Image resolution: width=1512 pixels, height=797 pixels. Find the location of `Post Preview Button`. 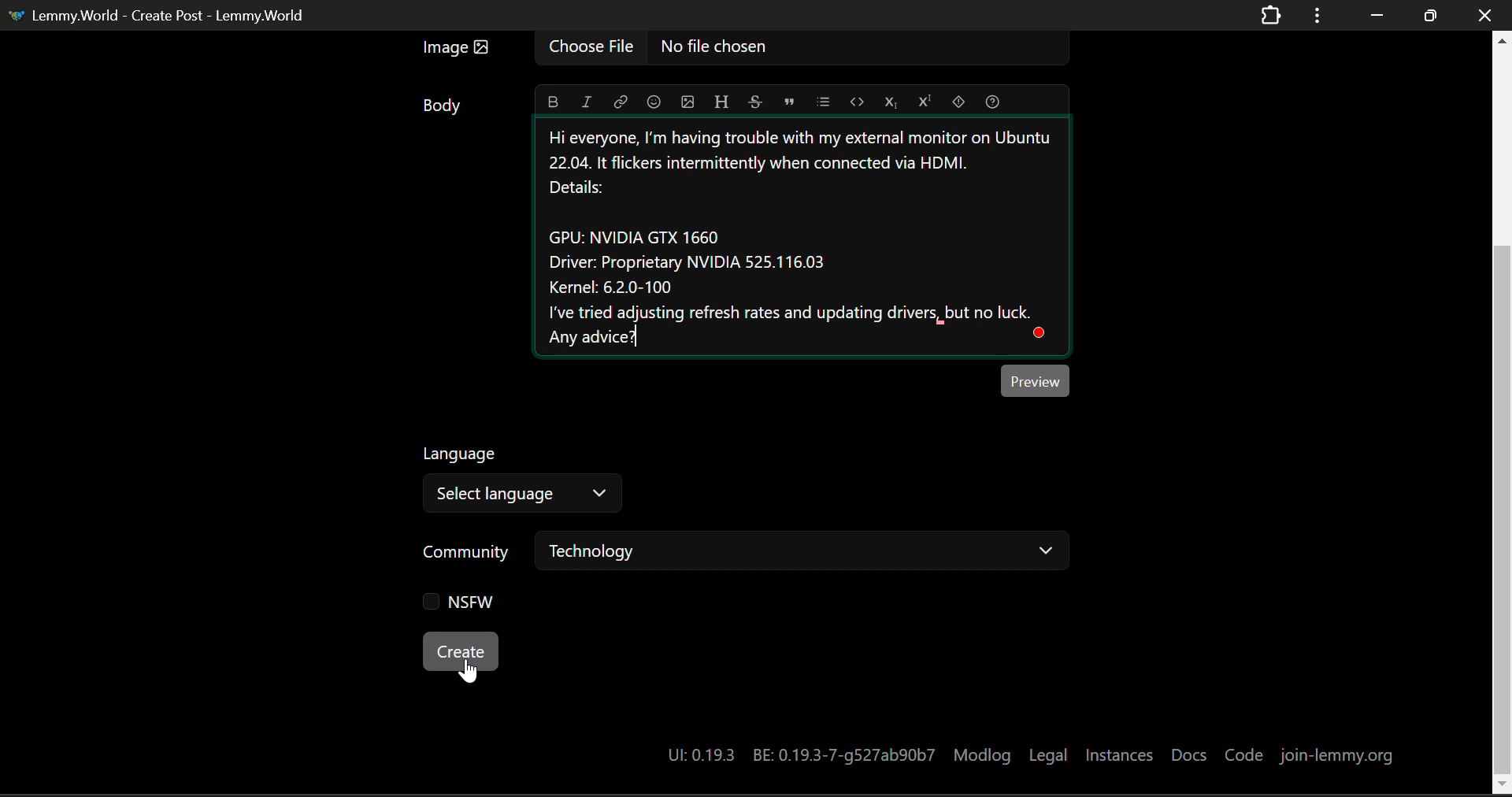

Post Preview Button is located at coordinates (1036, 380).